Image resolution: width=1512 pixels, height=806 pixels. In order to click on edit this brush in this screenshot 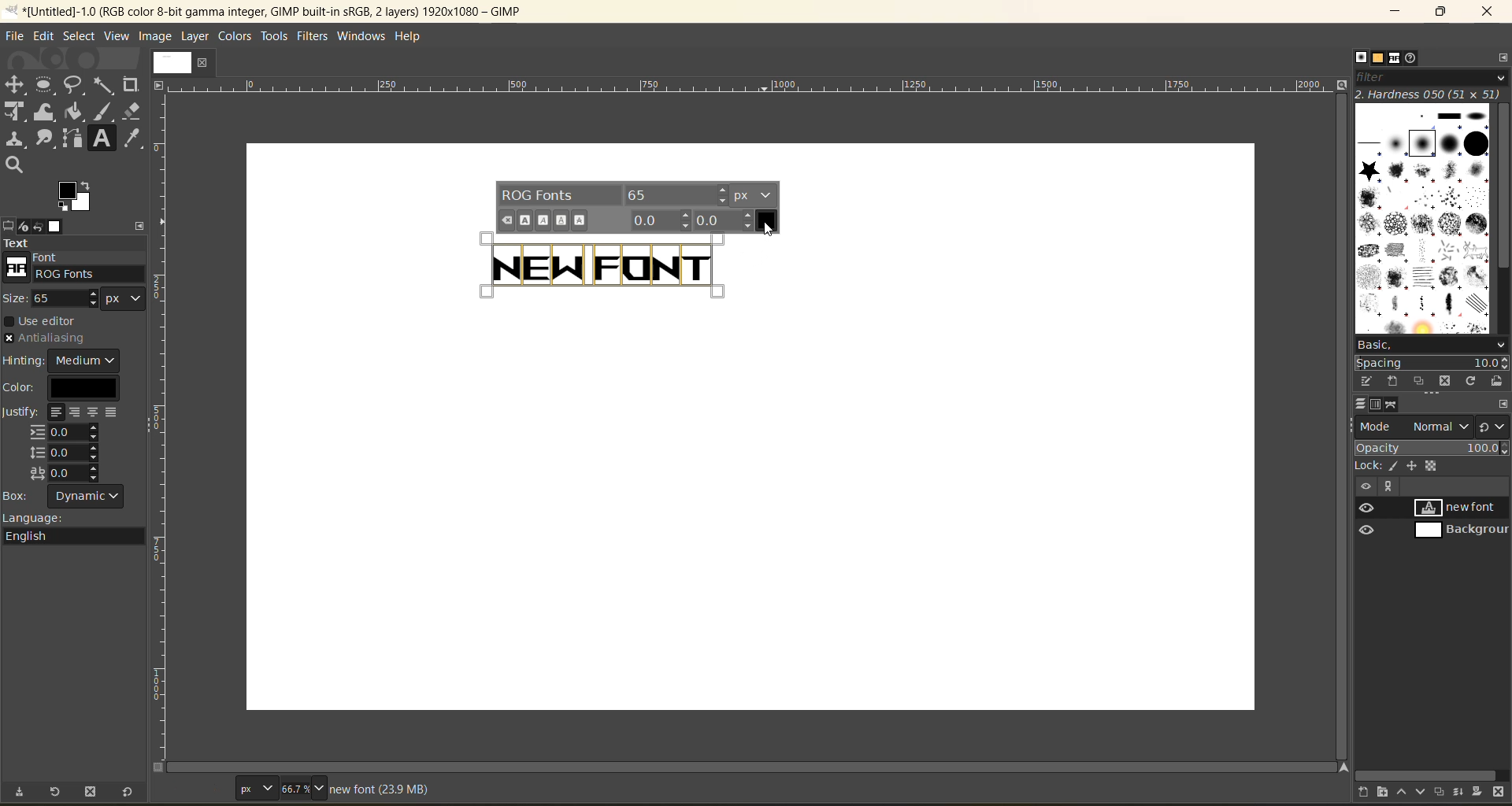, I will do `click(1369, 379)`.